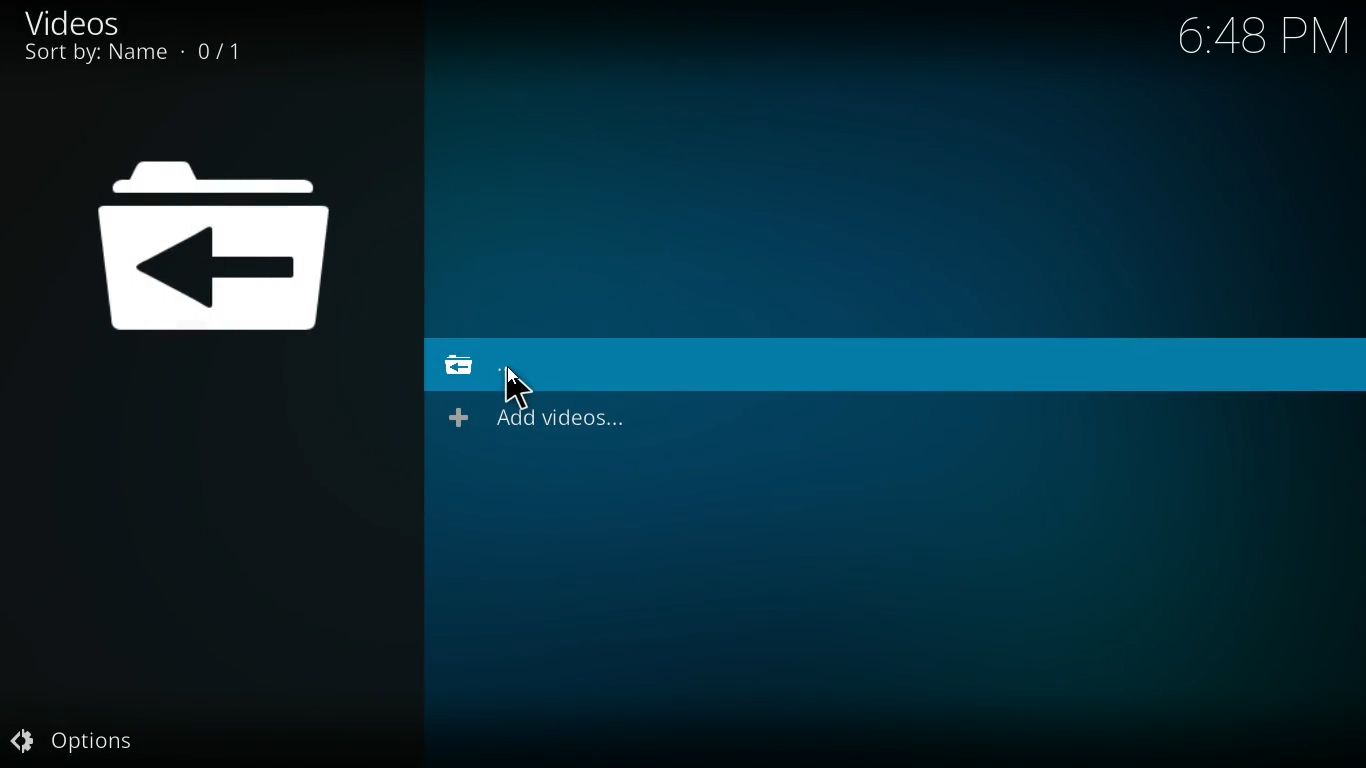  Describe the element at coordinates (548, 419) in the screenshot. I see `add videos` at that location.